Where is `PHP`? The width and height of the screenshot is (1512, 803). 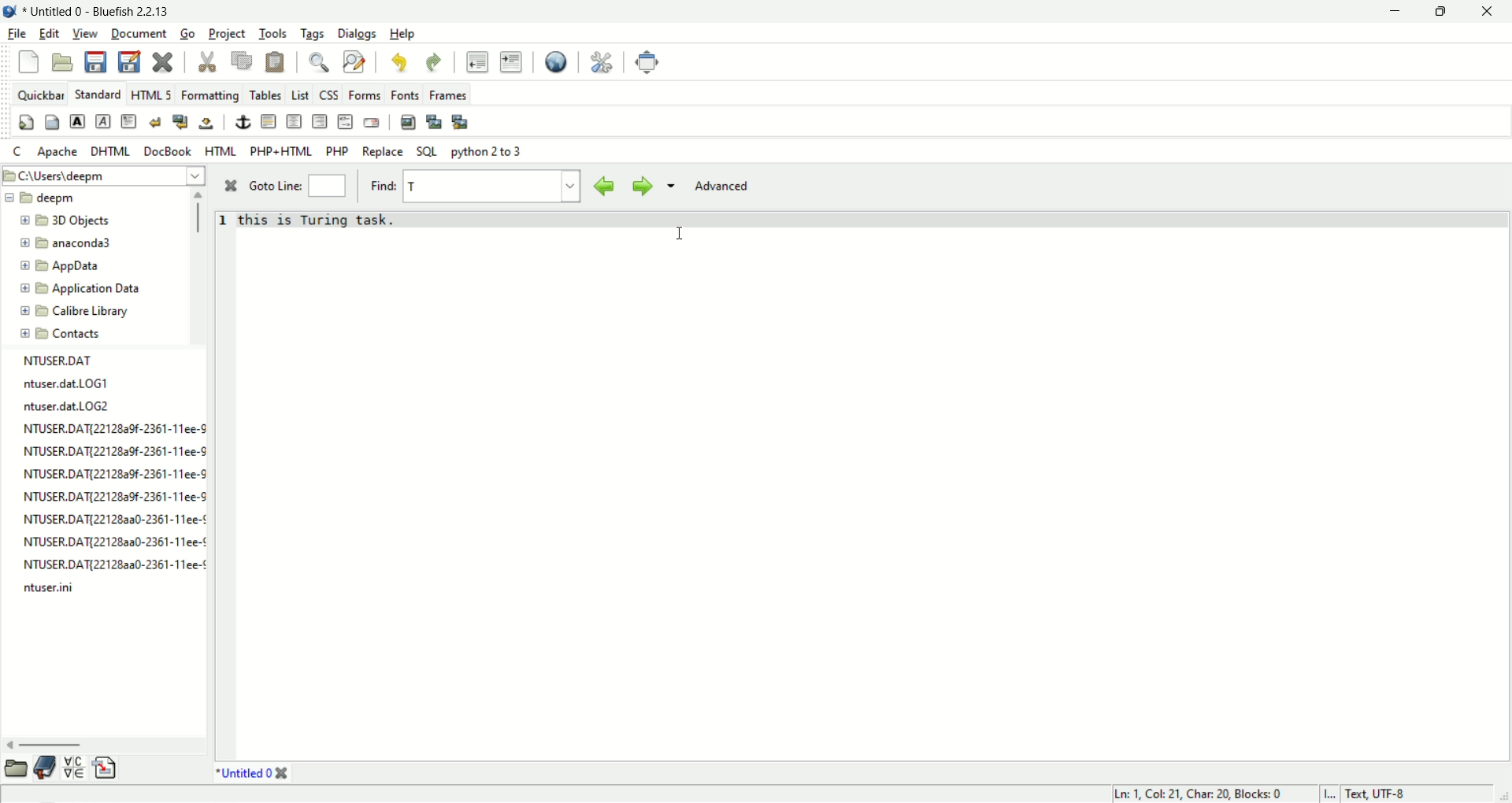
PHP is located at coordinates (339, 151).